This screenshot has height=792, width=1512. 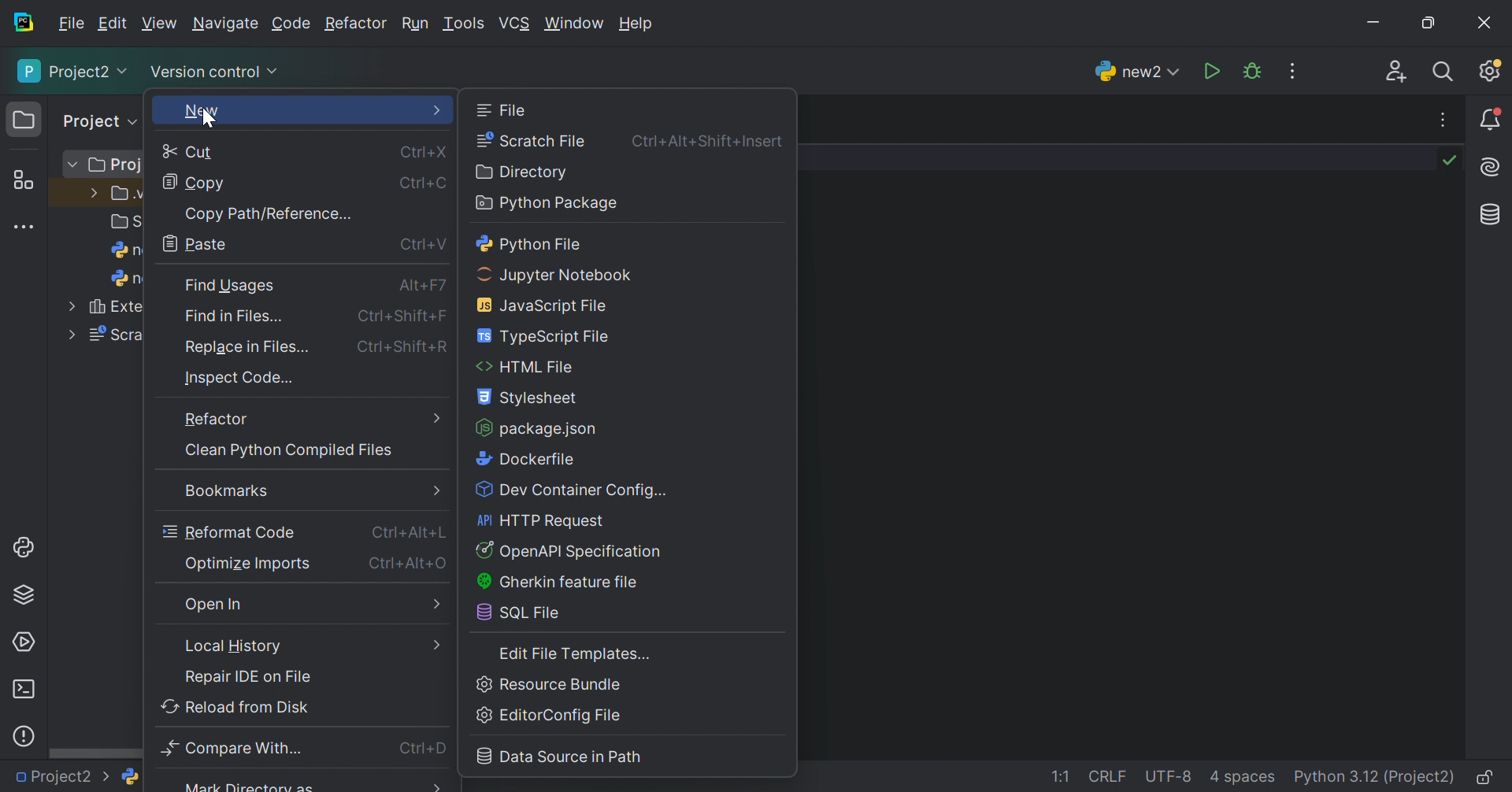 I want to click on Directory, so click(x=527, y=172).